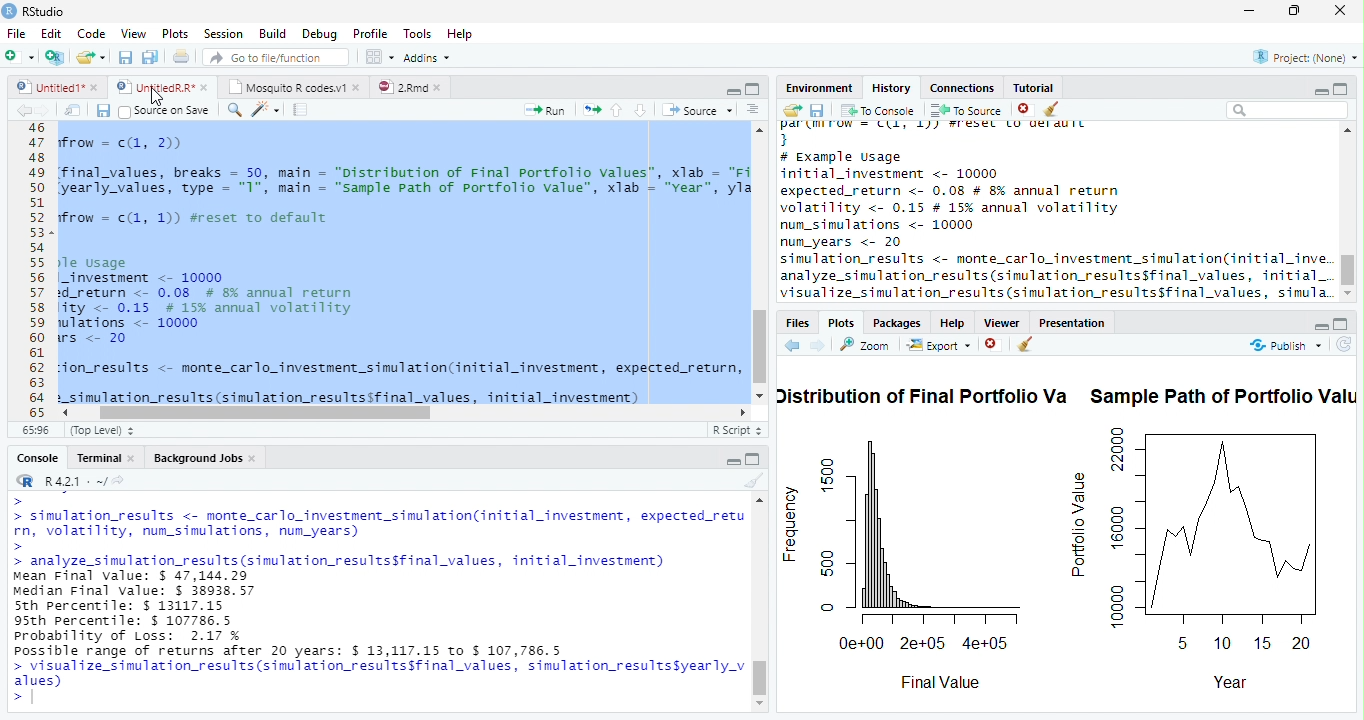 This screenshot has height=720, width=1364. Describe the element at coordinates (181, 56) in the screenshot. I see `Print` at that location.